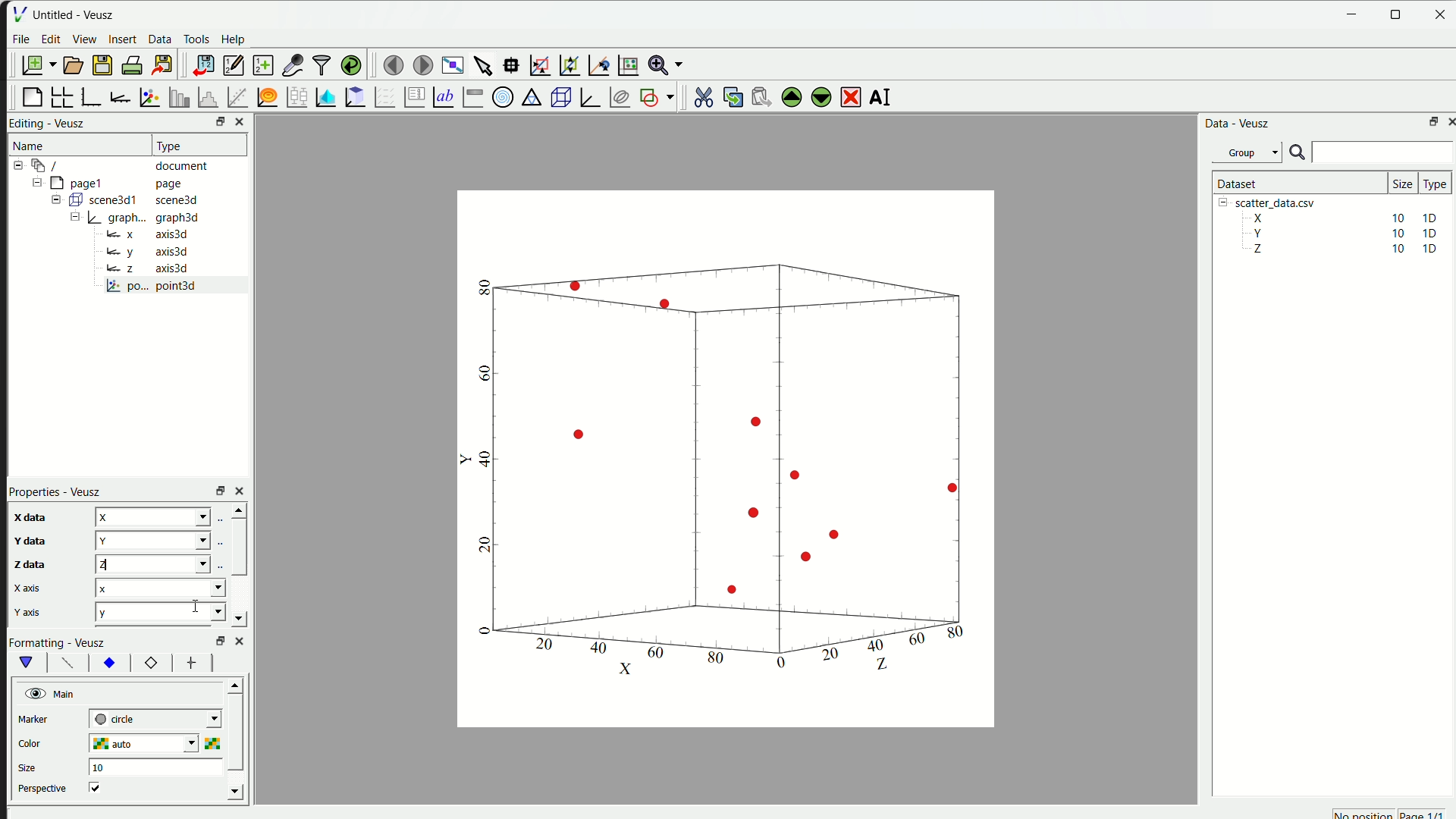  What do you see at coordinates (31, 765) in the screenshot?
I see `size` at bounding box center [31, 765].